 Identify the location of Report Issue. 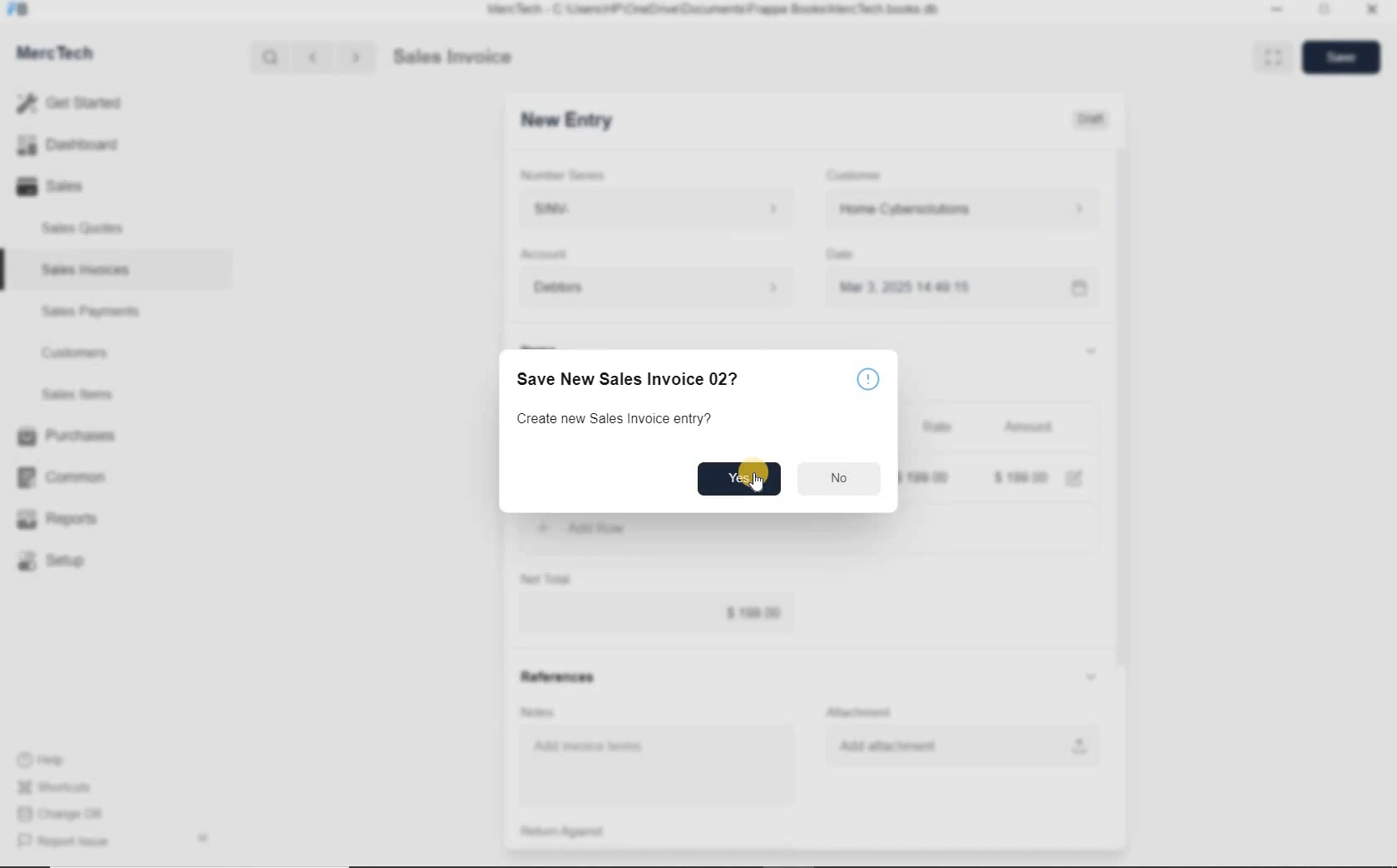
(67, 842).